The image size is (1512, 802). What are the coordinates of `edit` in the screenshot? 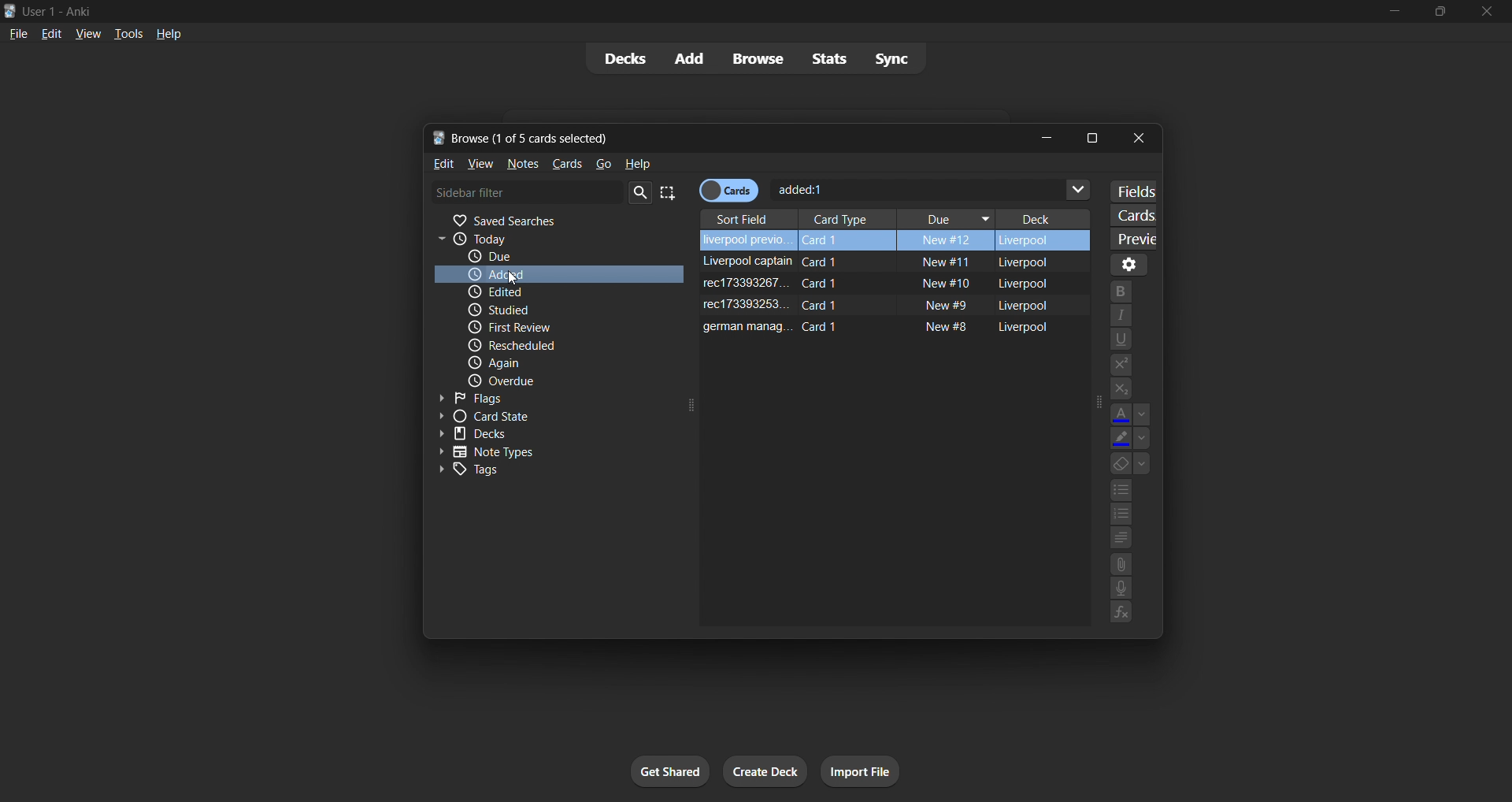 It's located at (51, 32).